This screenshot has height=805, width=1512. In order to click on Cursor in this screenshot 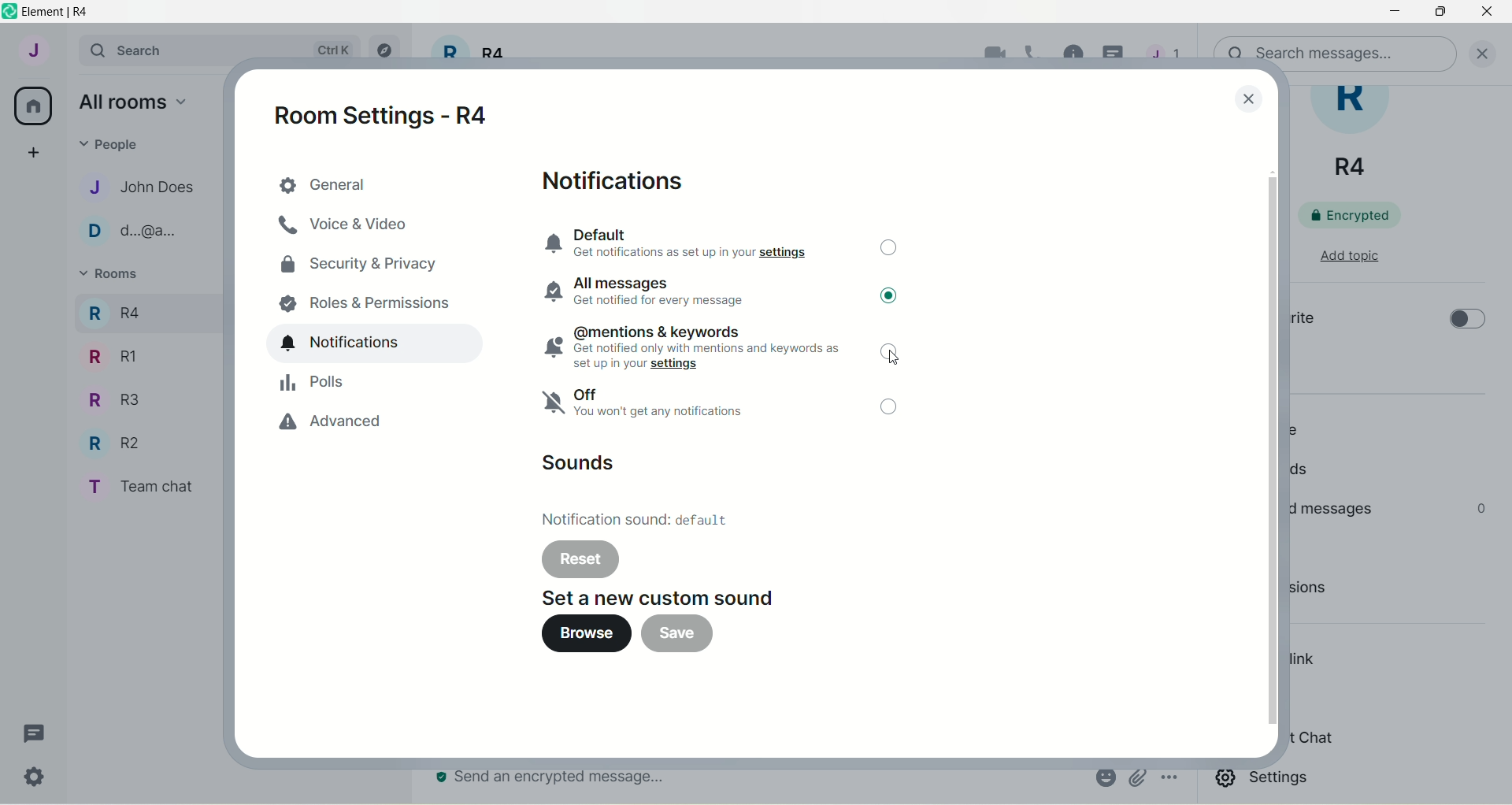, I will do `click(902, 362)`.